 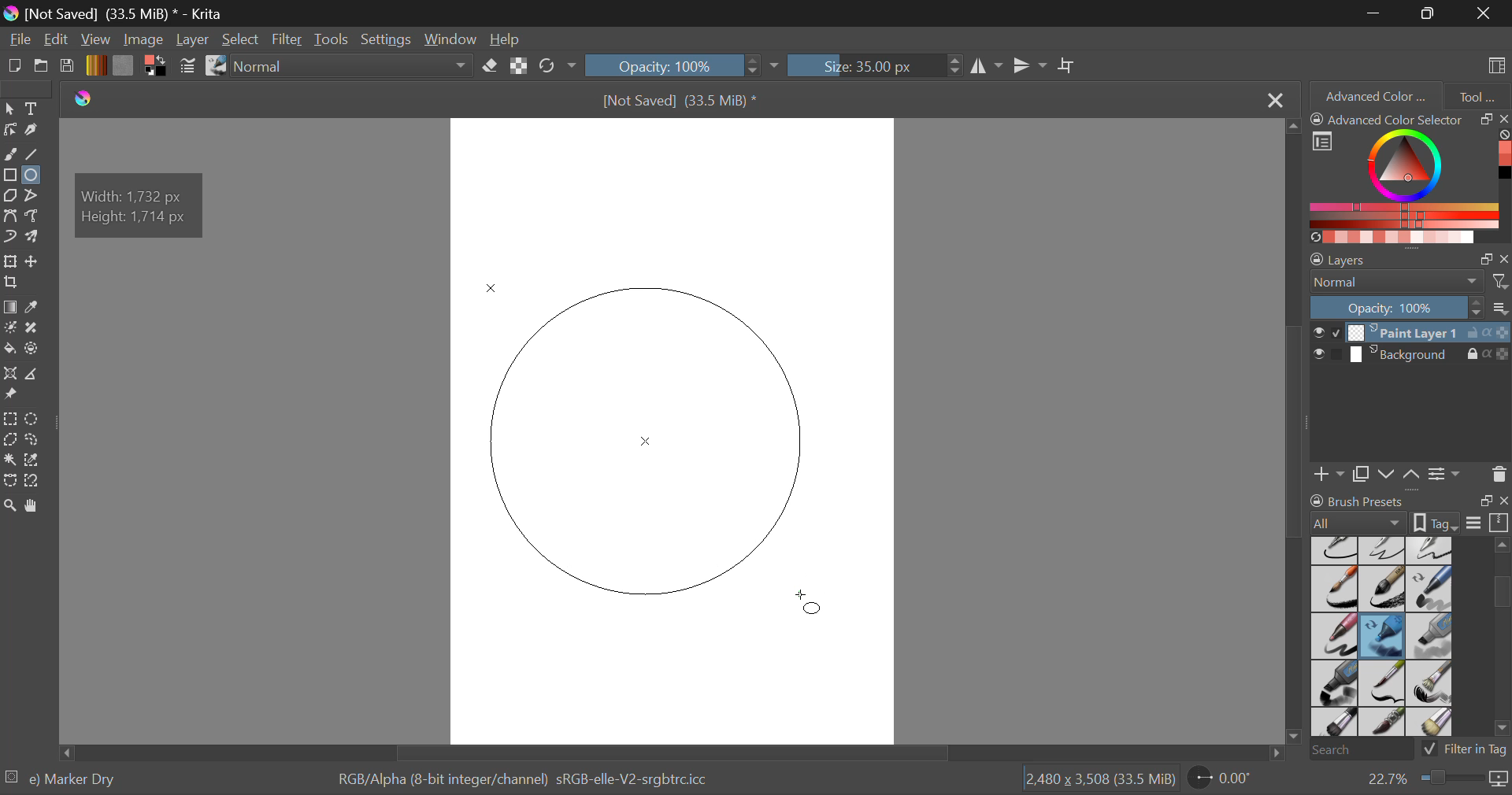 What do you see at coordinates (1382, 590) in the screenshot?
I see `Ink-8 Sumi-e` at bounding box center [1382, 590].